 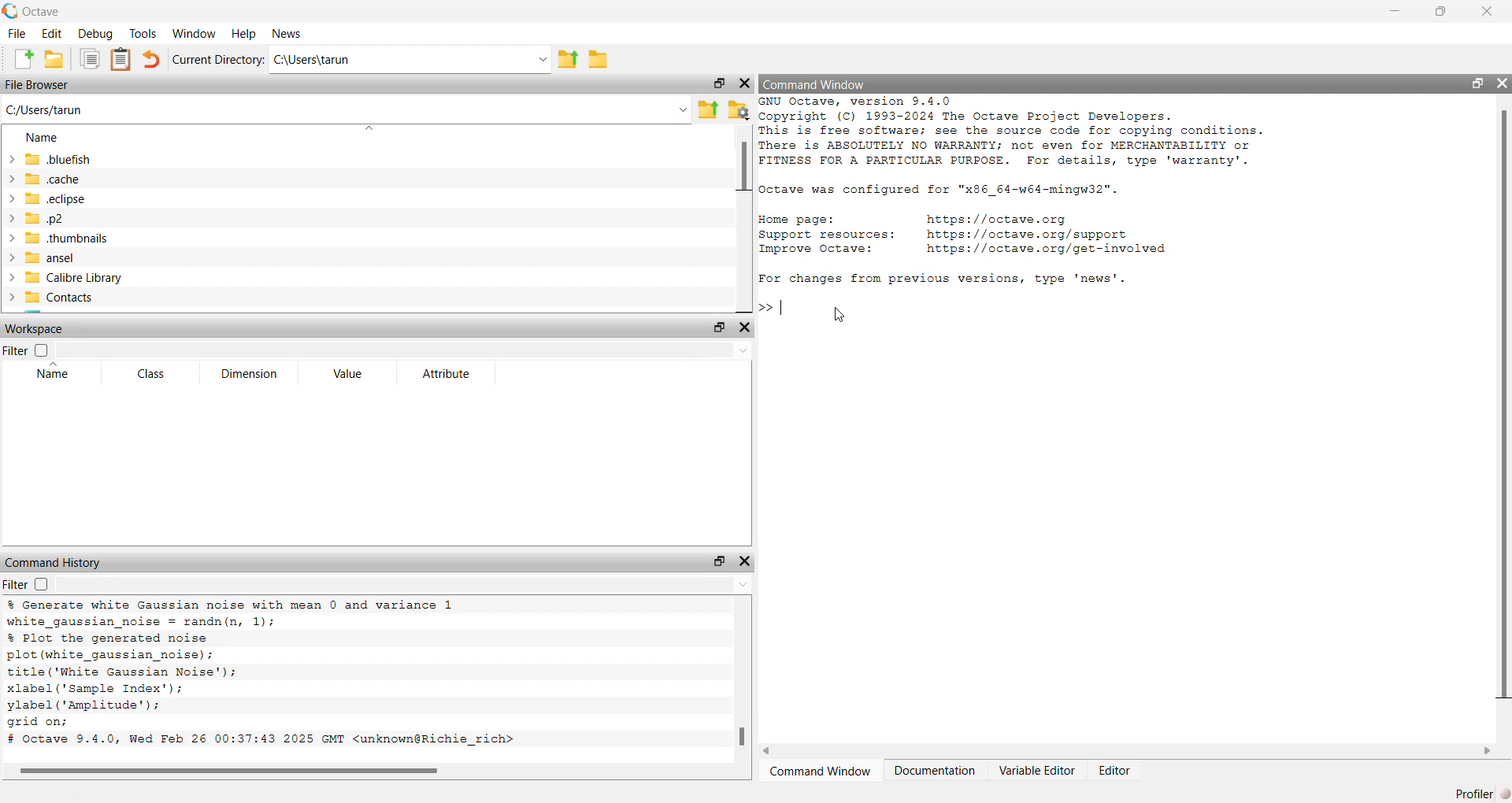 I want to click on vertical scroll bar, so click(x=741, y=216).